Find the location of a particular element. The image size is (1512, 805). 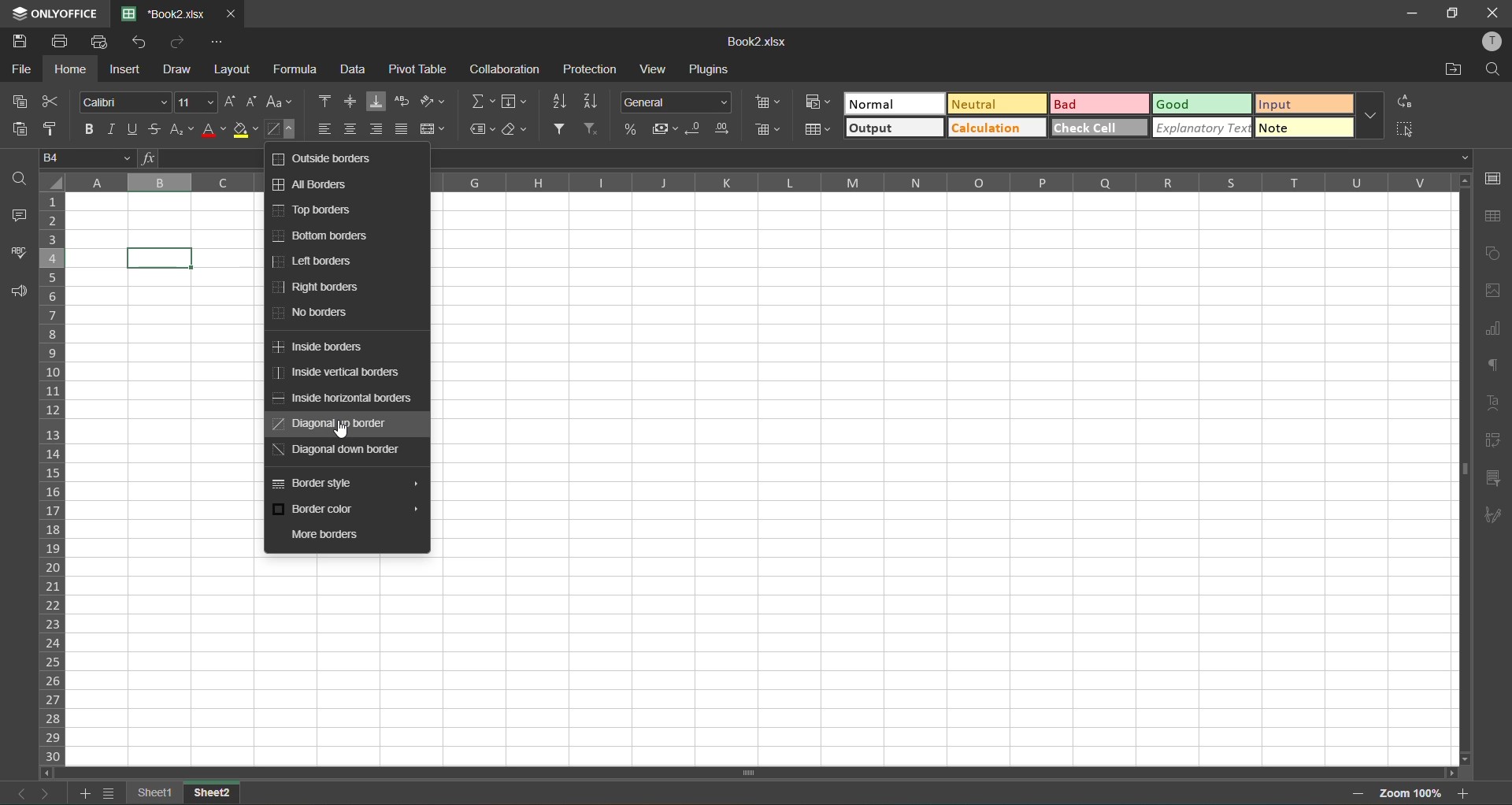

charts is located at coordinates (1493, 330).